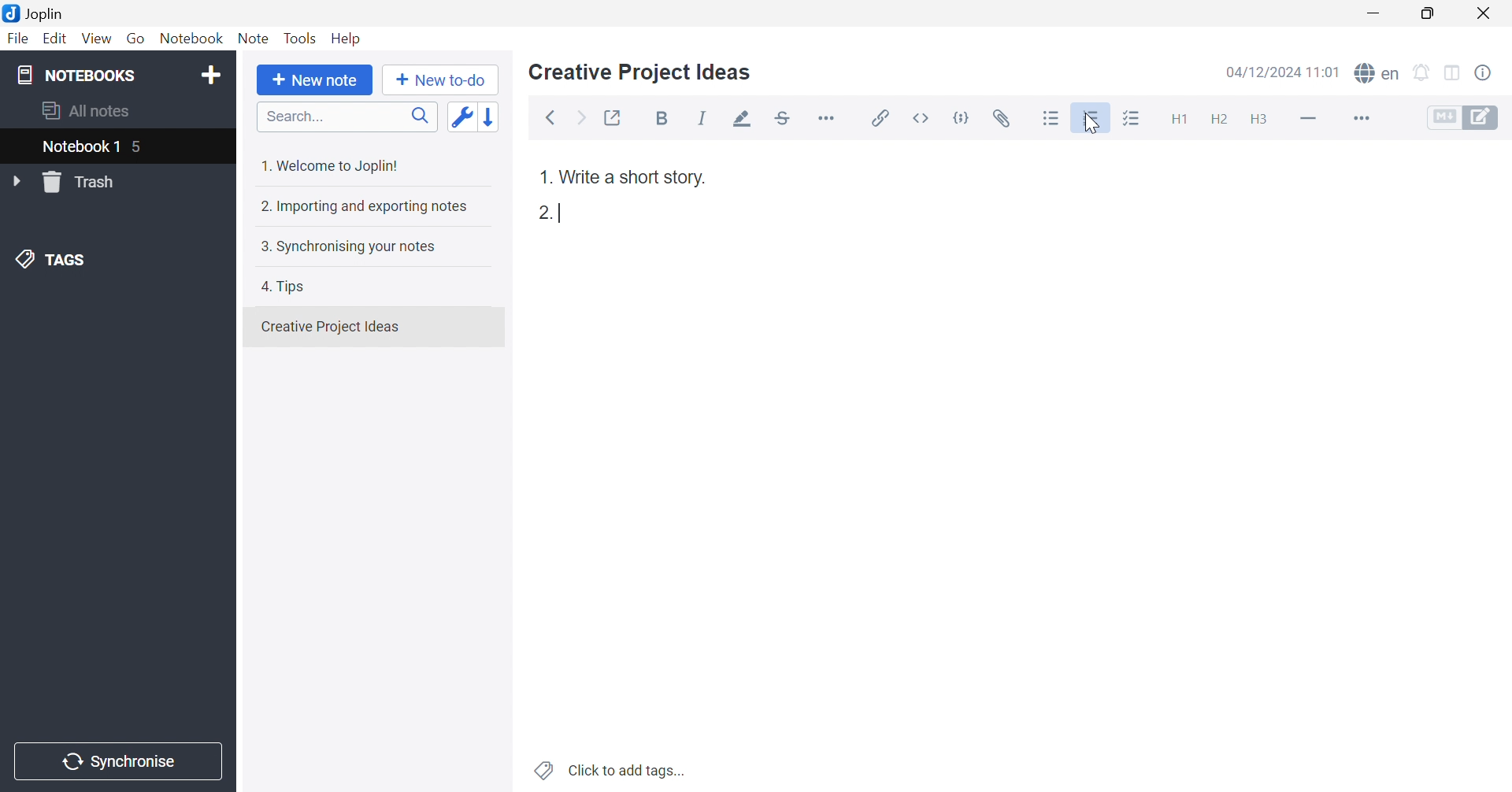 This screenshot has height=792, width=1512. Describe the element at coordinates (1178, 120) in the screenshot. I see `Heading 1` at that location.